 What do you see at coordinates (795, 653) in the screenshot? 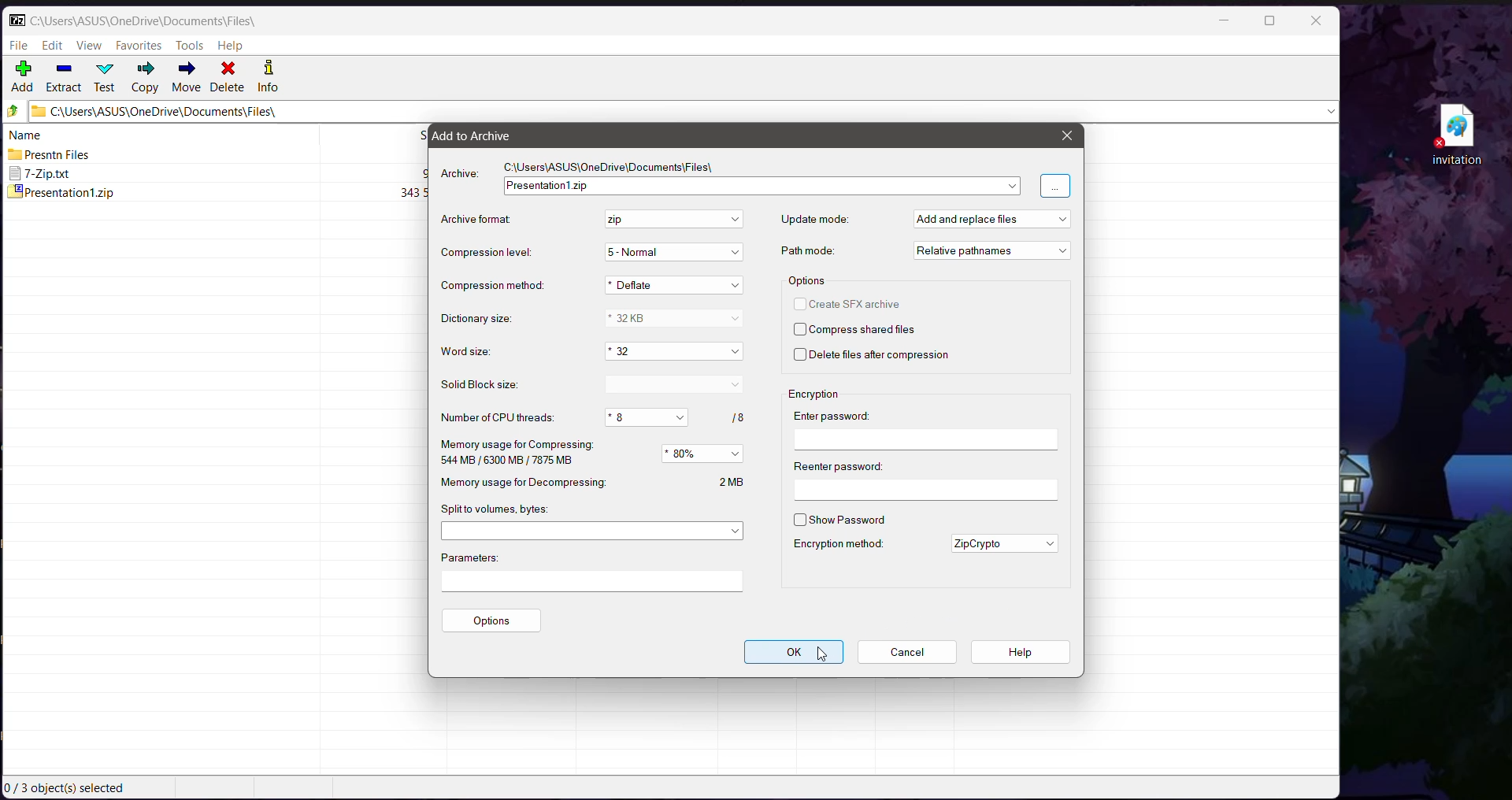
I see `OK` at bounding box center [795, 653].